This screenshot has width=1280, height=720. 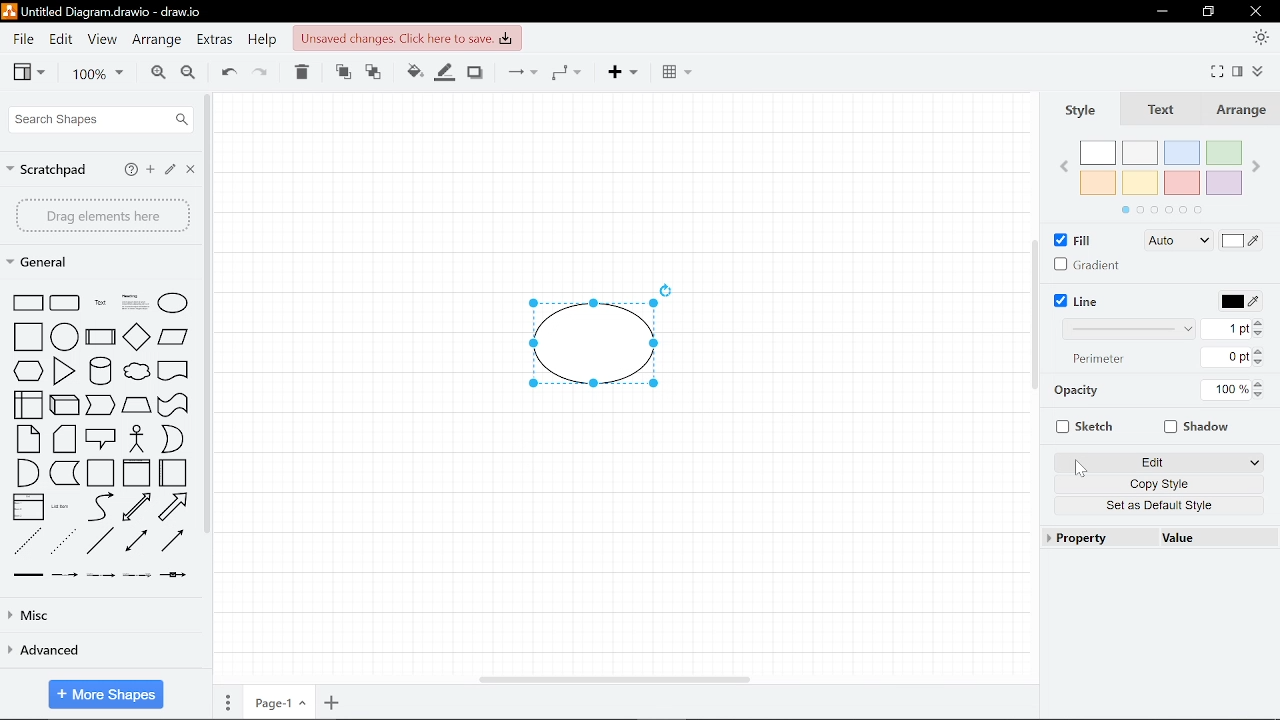 What do you see at coordinates (65, 336) in the screenshot?
I see `circle` at bounding box center [65, 336].